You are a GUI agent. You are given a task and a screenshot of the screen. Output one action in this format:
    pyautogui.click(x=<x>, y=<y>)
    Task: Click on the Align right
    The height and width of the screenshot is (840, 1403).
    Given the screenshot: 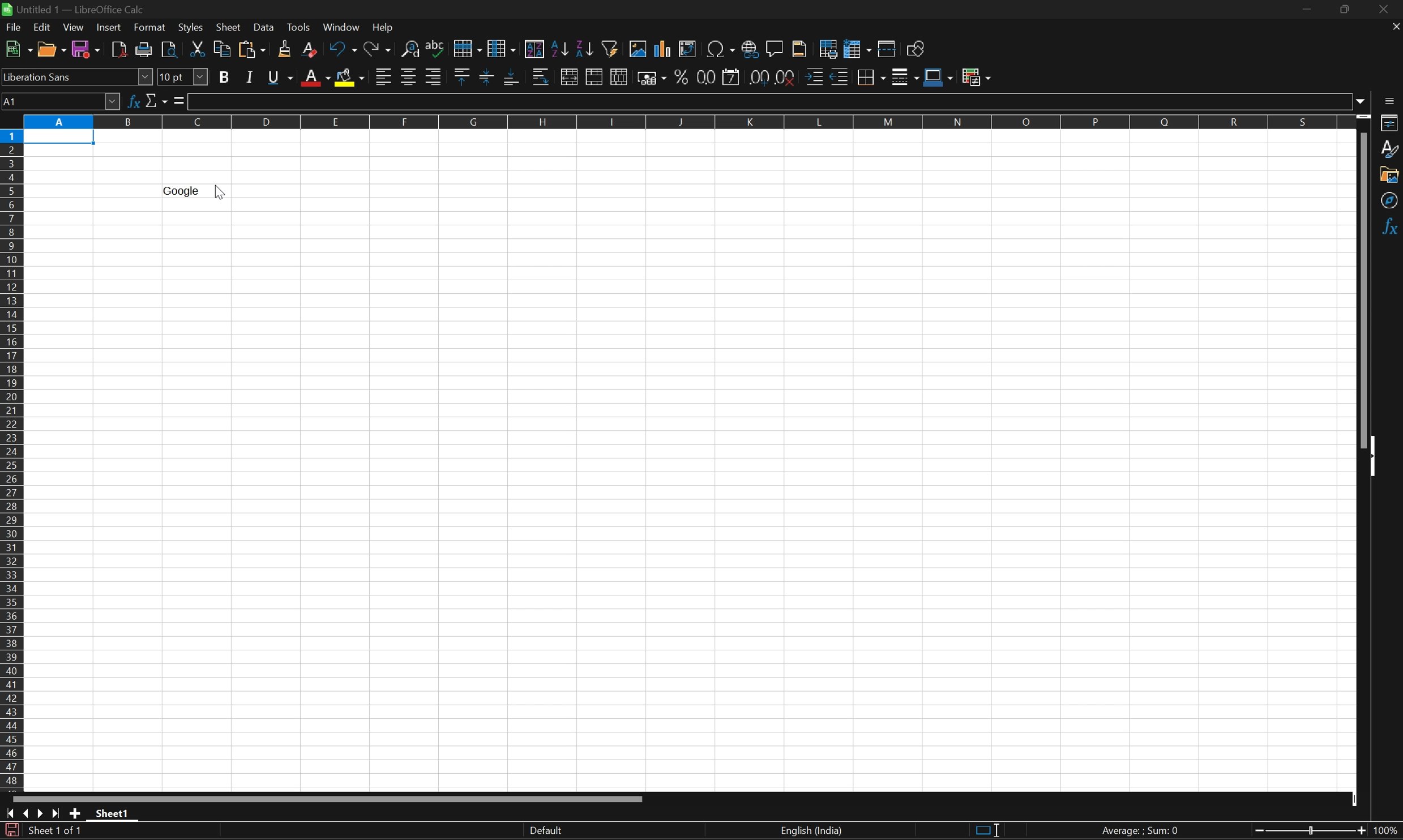 What is the action you would take?
    pyautogui.click(x=434, y=77)
    